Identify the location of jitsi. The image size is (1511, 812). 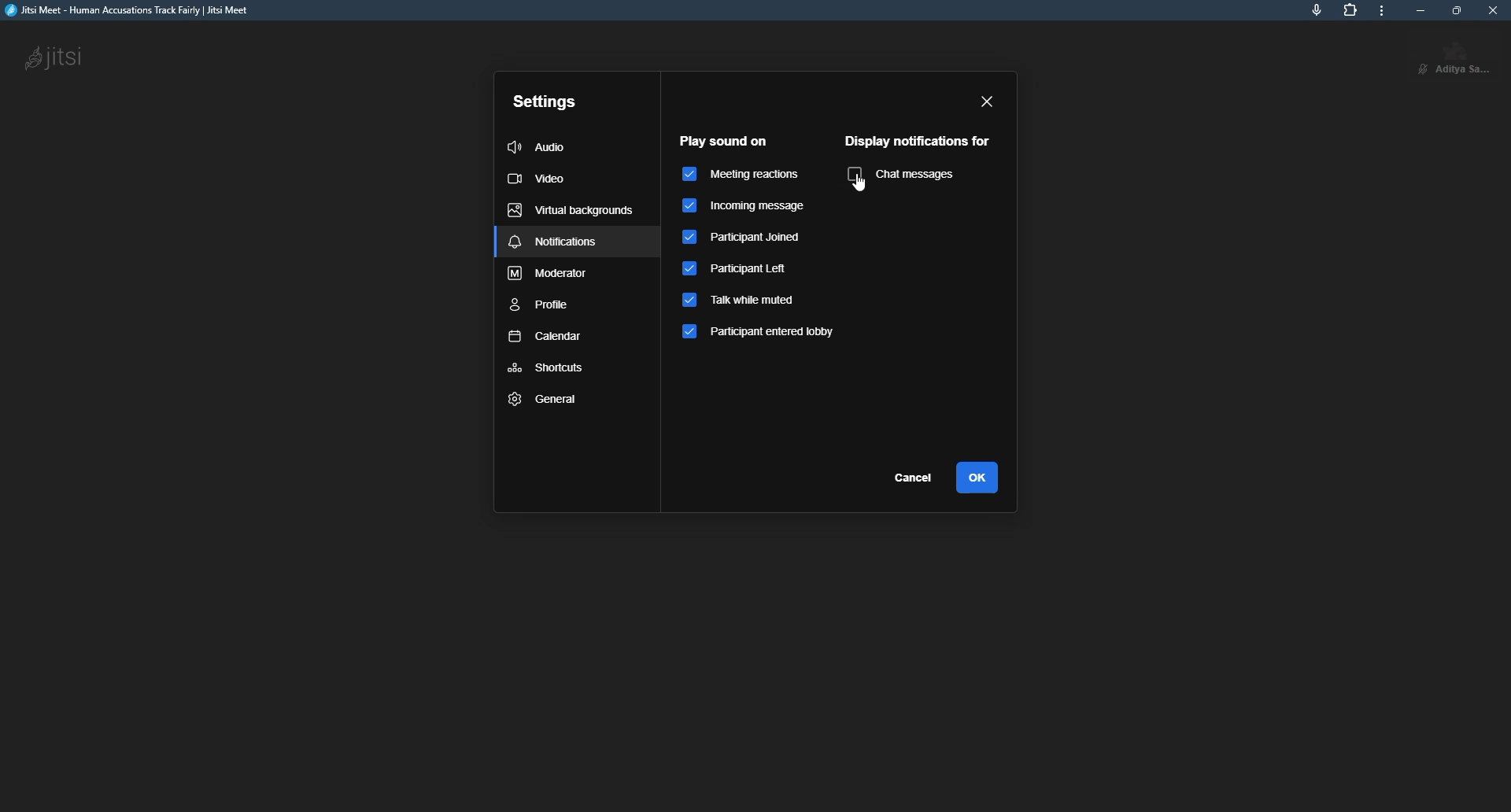
(135, 12).